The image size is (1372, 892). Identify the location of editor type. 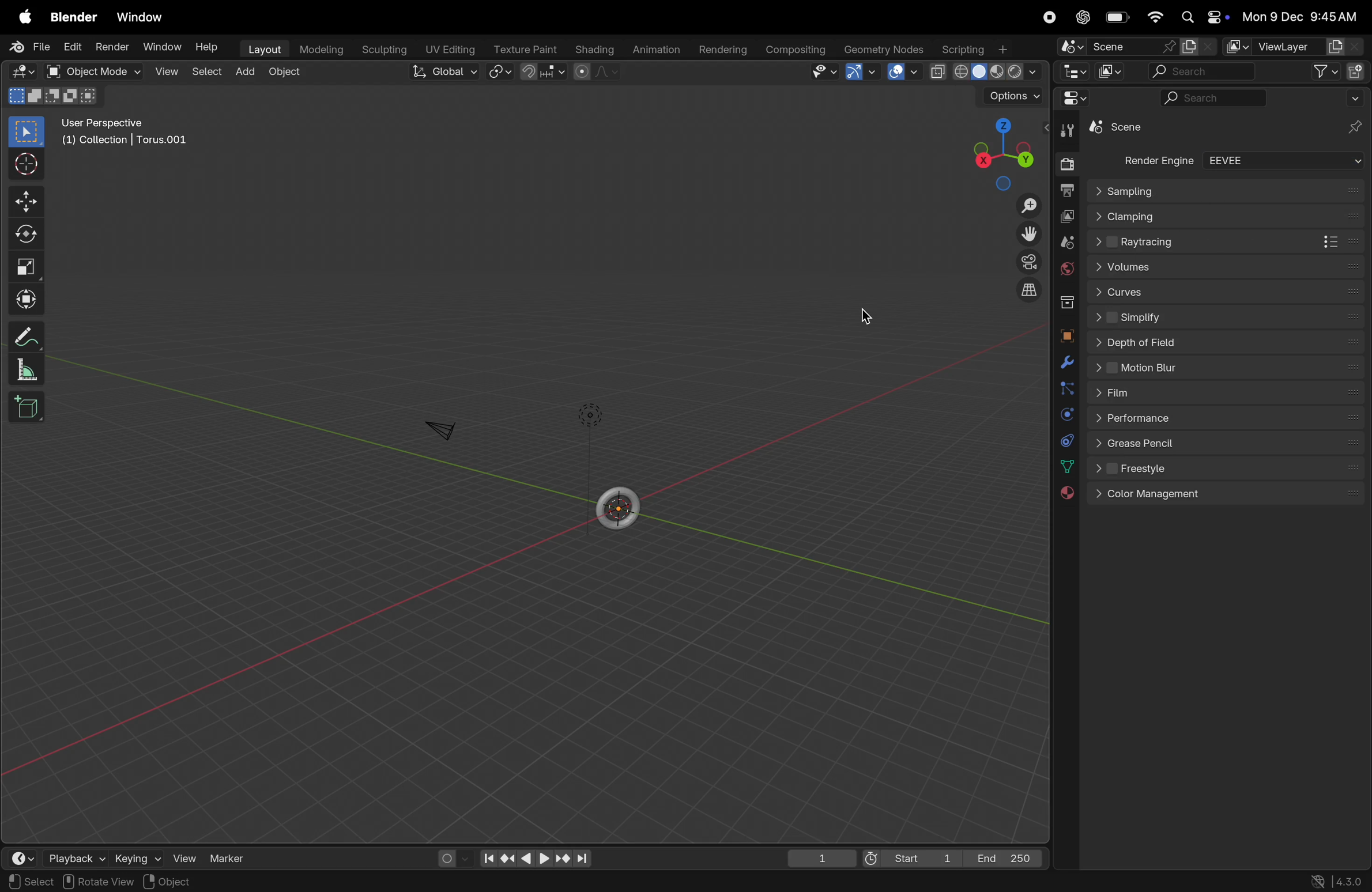
(19, 71).